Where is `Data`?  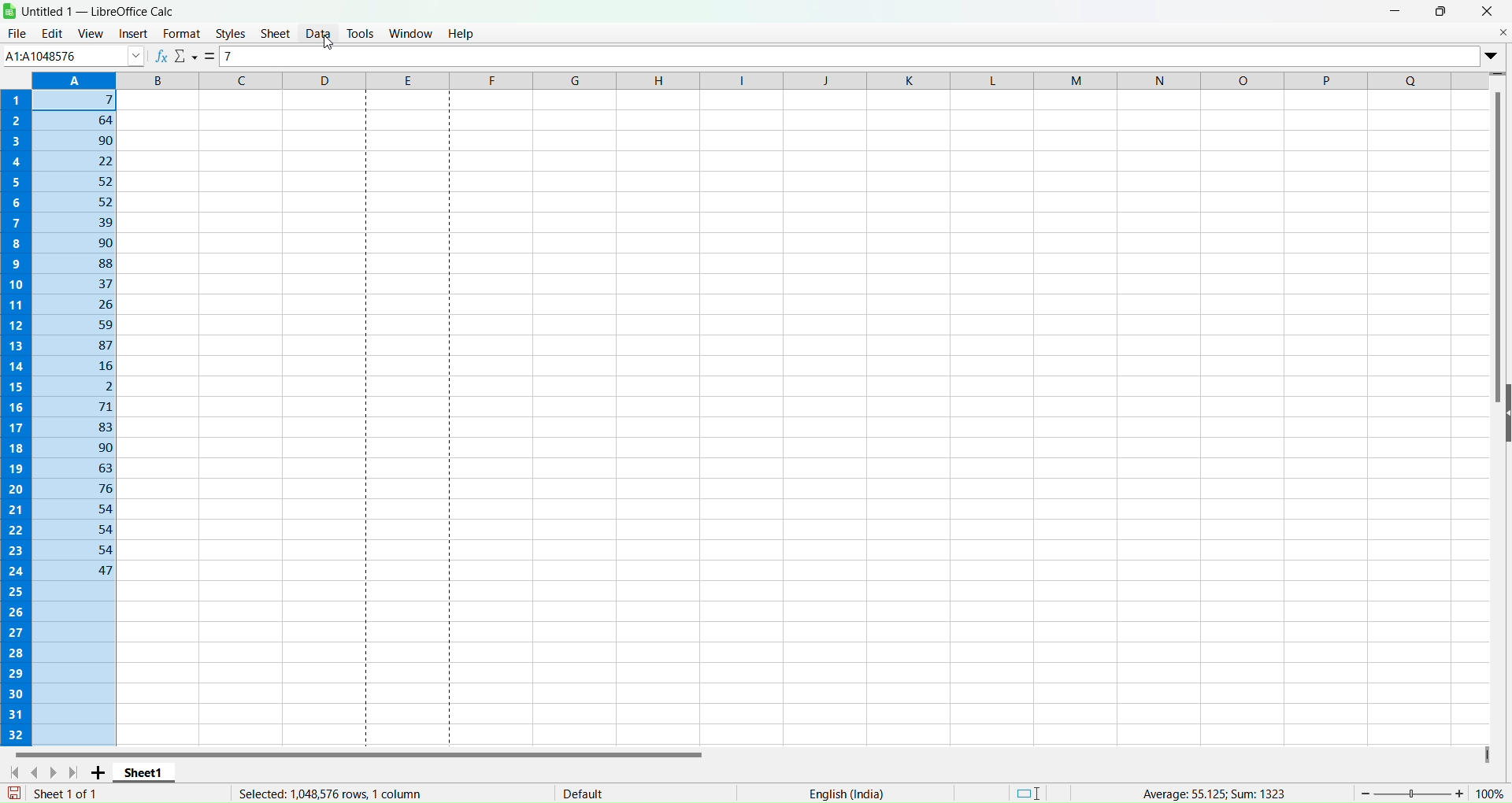 Data is located at coordinates (318, 32).